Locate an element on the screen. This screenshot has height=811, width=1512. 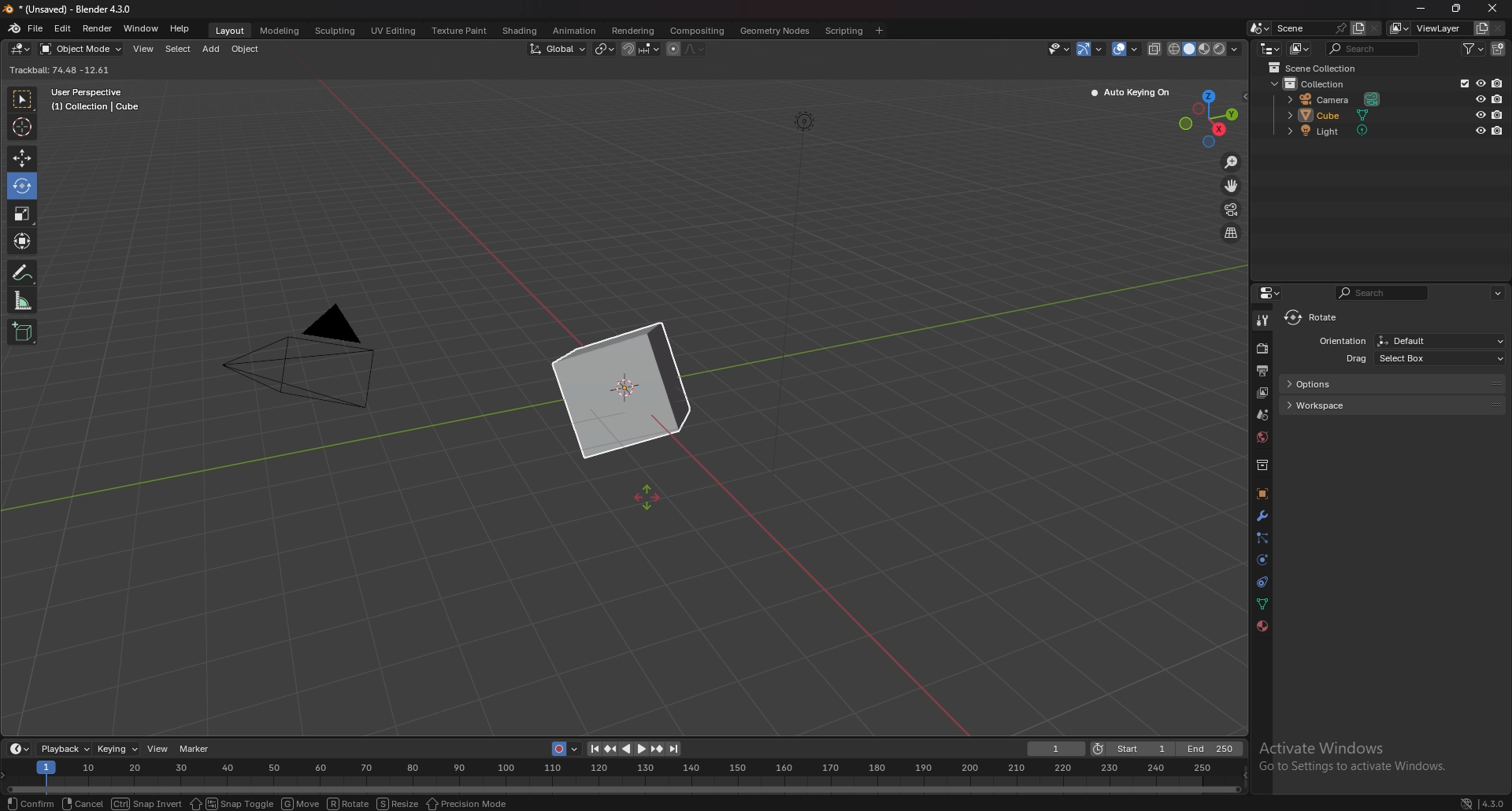
add cube is located at coordinates (23, 332).